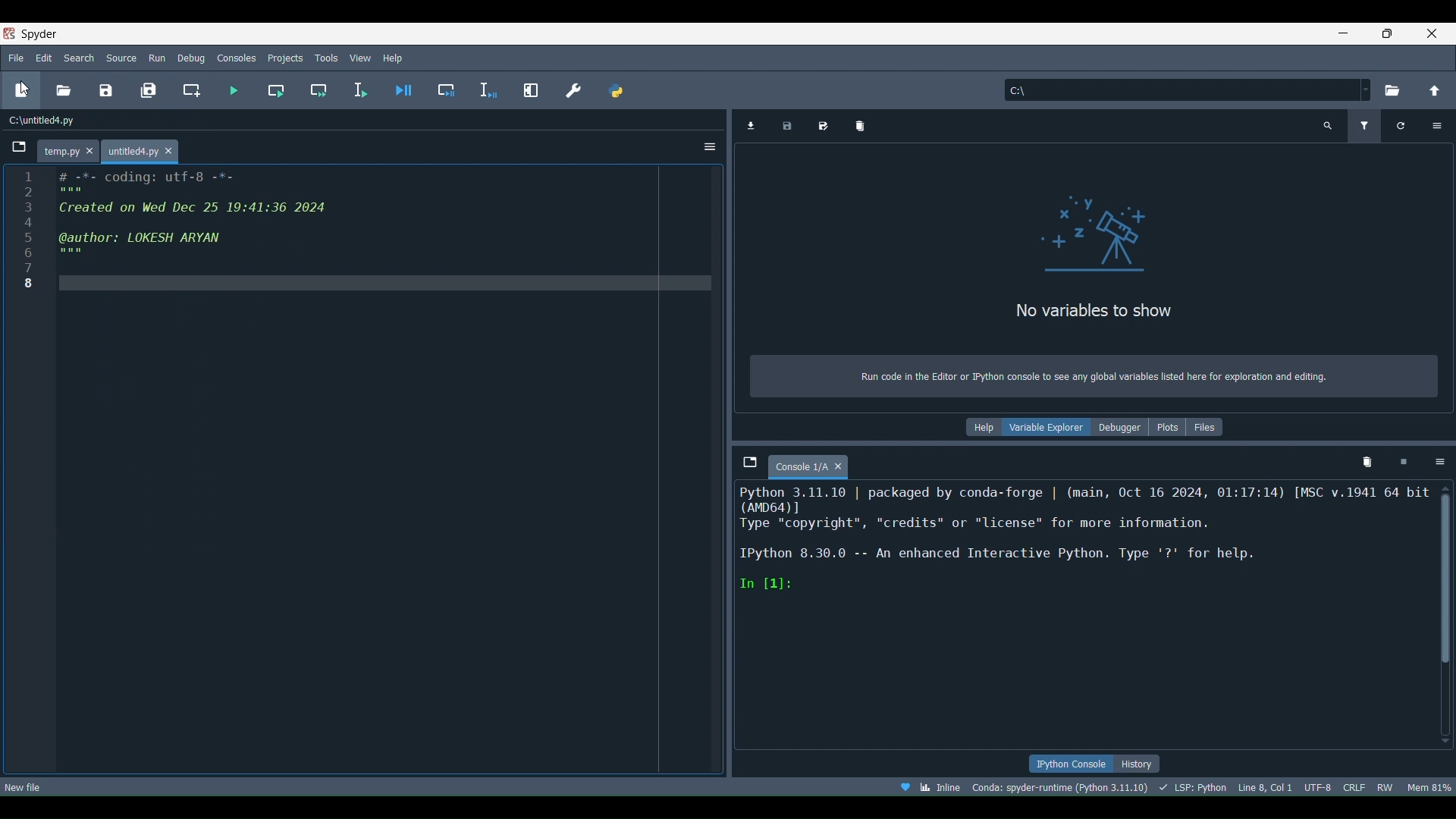 Image resolution: width=1456 pixels, height=819 pixels. What do you see at coordinates (486, 87) in the screenshot?
I see `Debug selection or current line` at bounding box center [486, 87].